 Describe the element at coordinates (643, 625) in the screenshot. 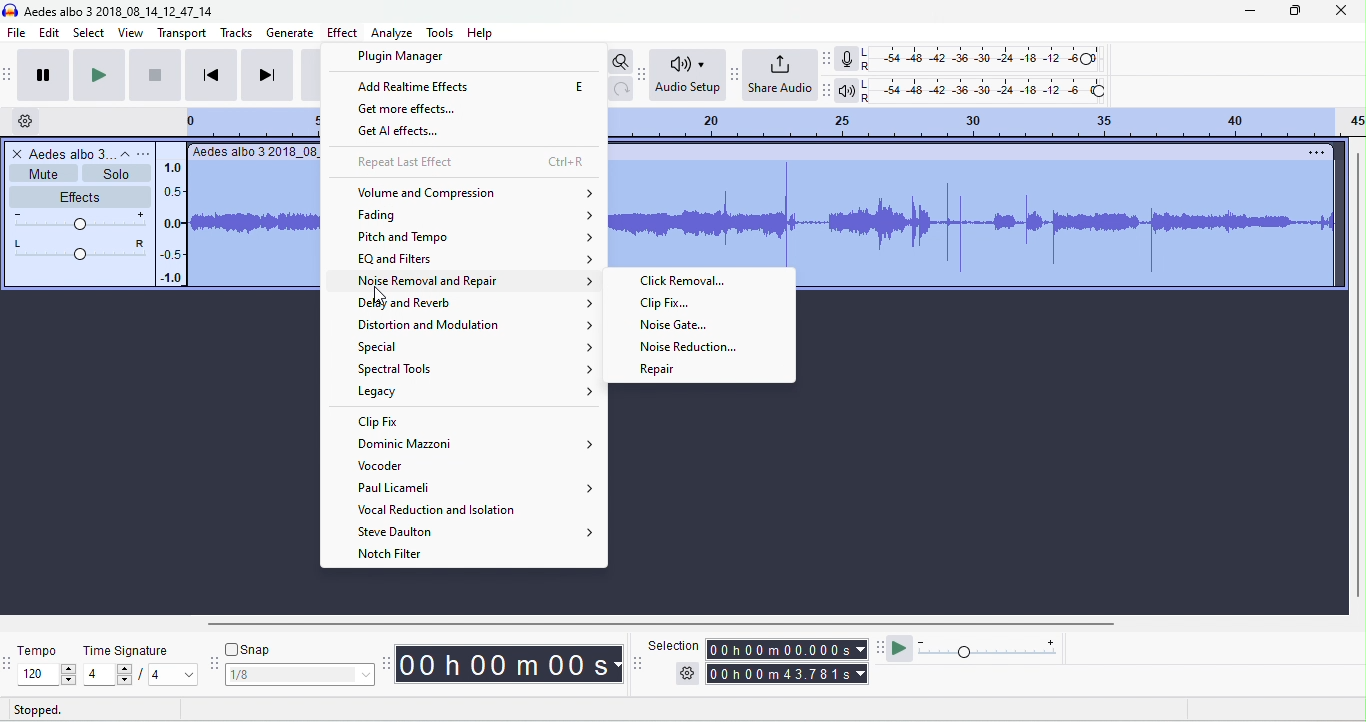

I see `horizontal scroll bar` at that location.